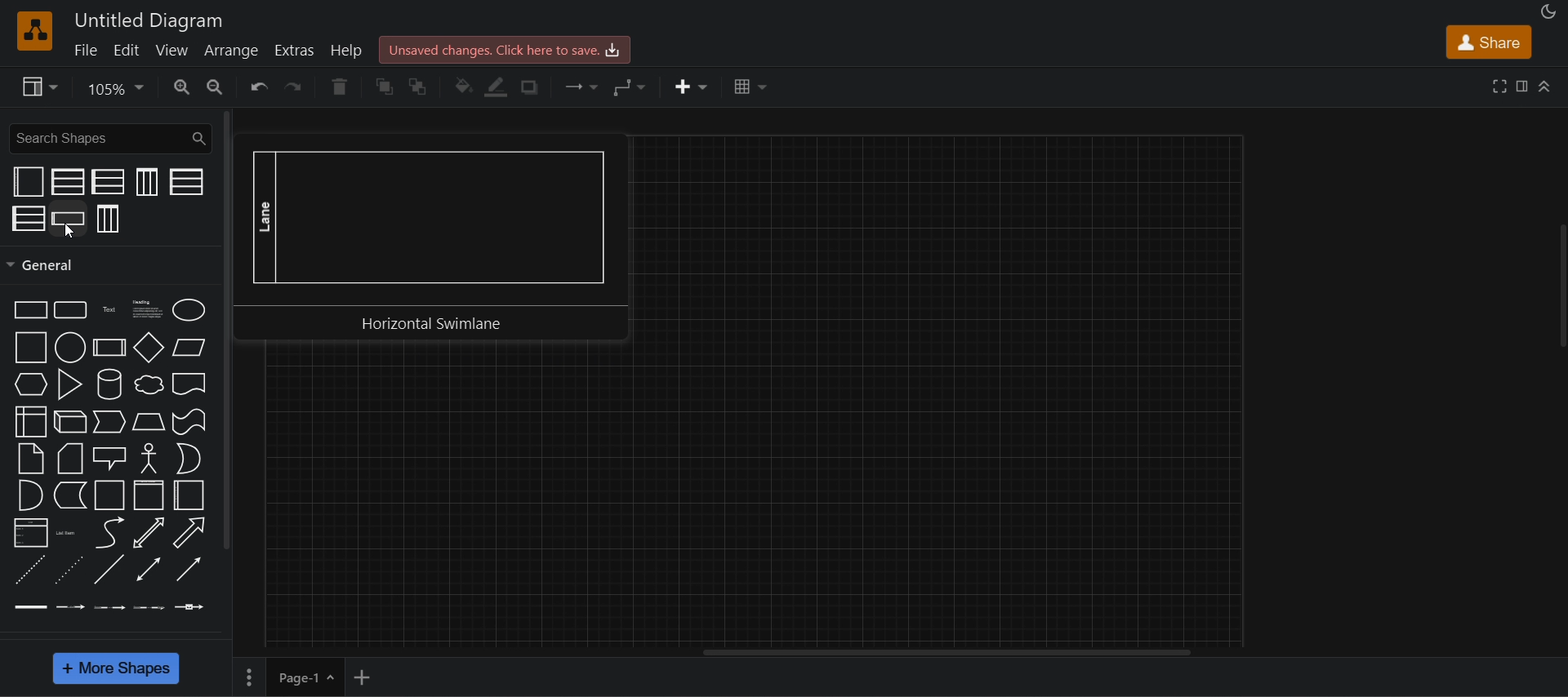 Image resolution: width=1568 pixels, height=697 pixels. Describe the element at coordinates (68, 182) in the screenshot. I see `vertical pool 2` at that location.